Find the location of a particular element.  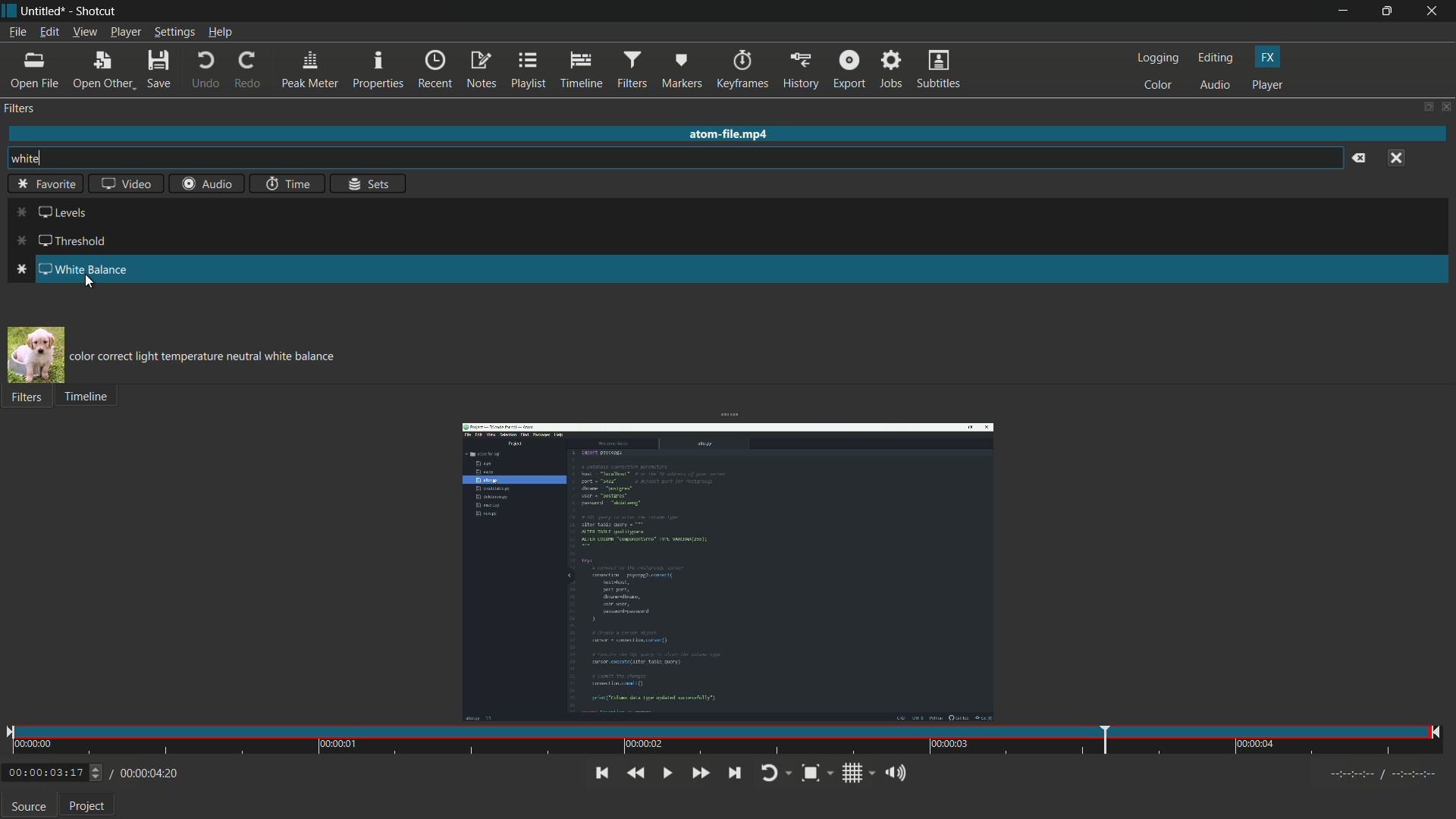

levels is located at coordinates (52, 212).